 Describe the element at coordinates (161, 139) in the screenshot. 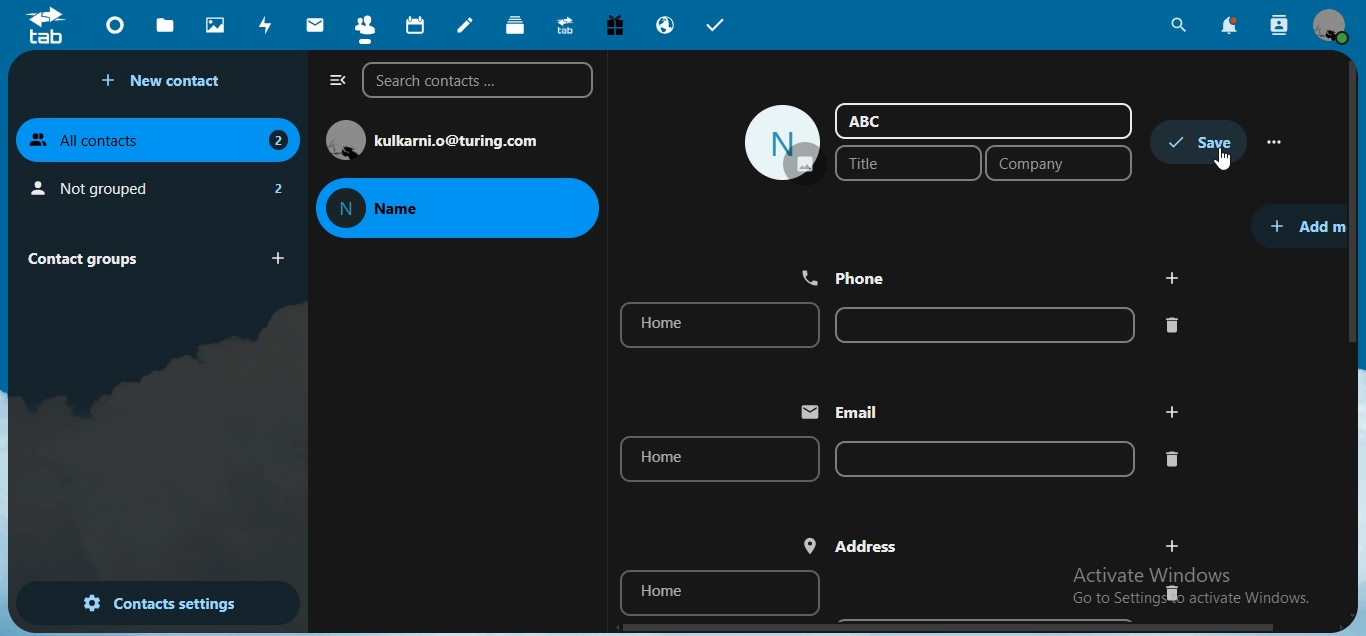

I see `all contacts` at that location.